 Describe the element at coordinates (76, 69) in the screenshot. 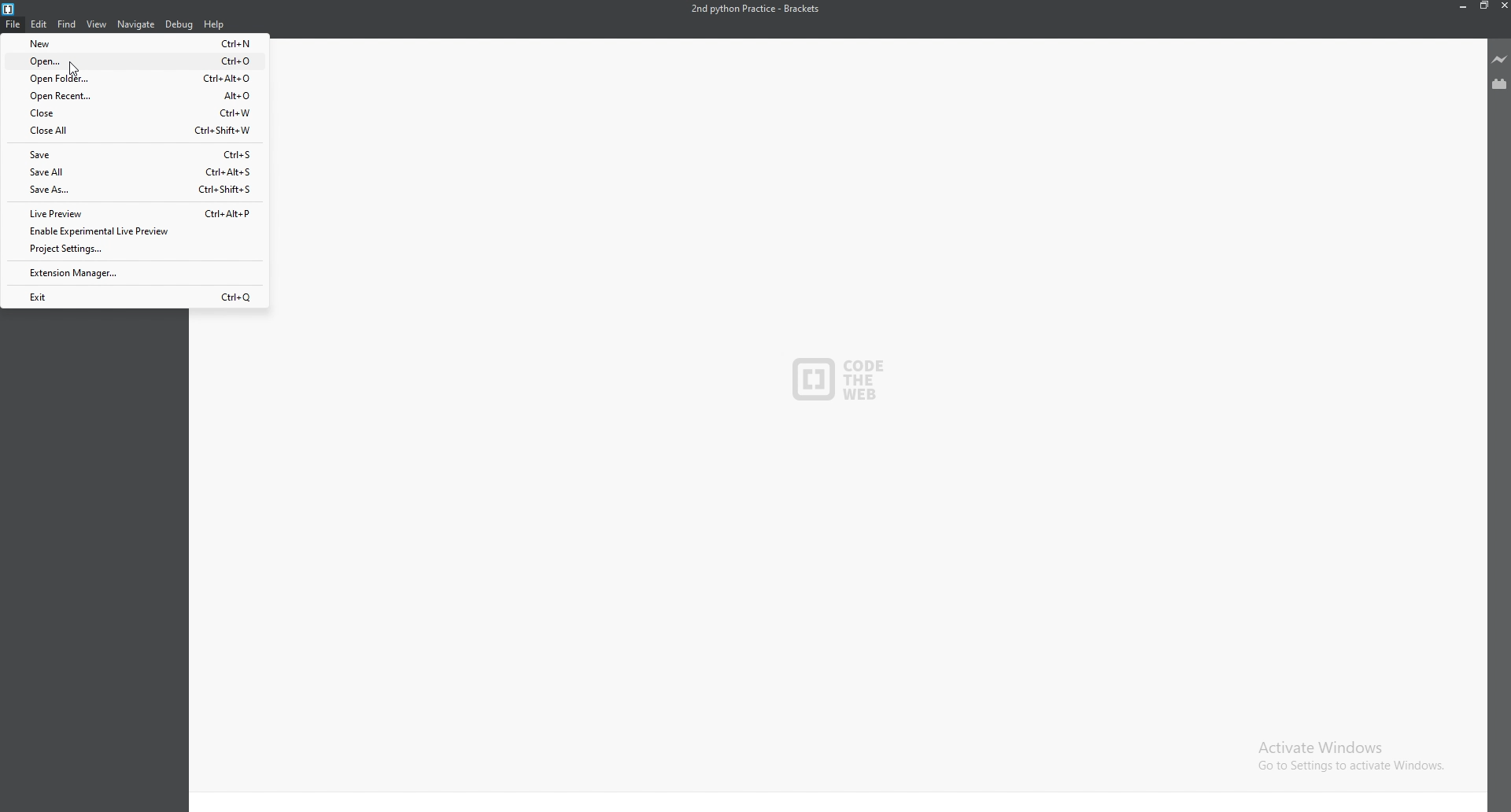

I see `cursor` at that location.